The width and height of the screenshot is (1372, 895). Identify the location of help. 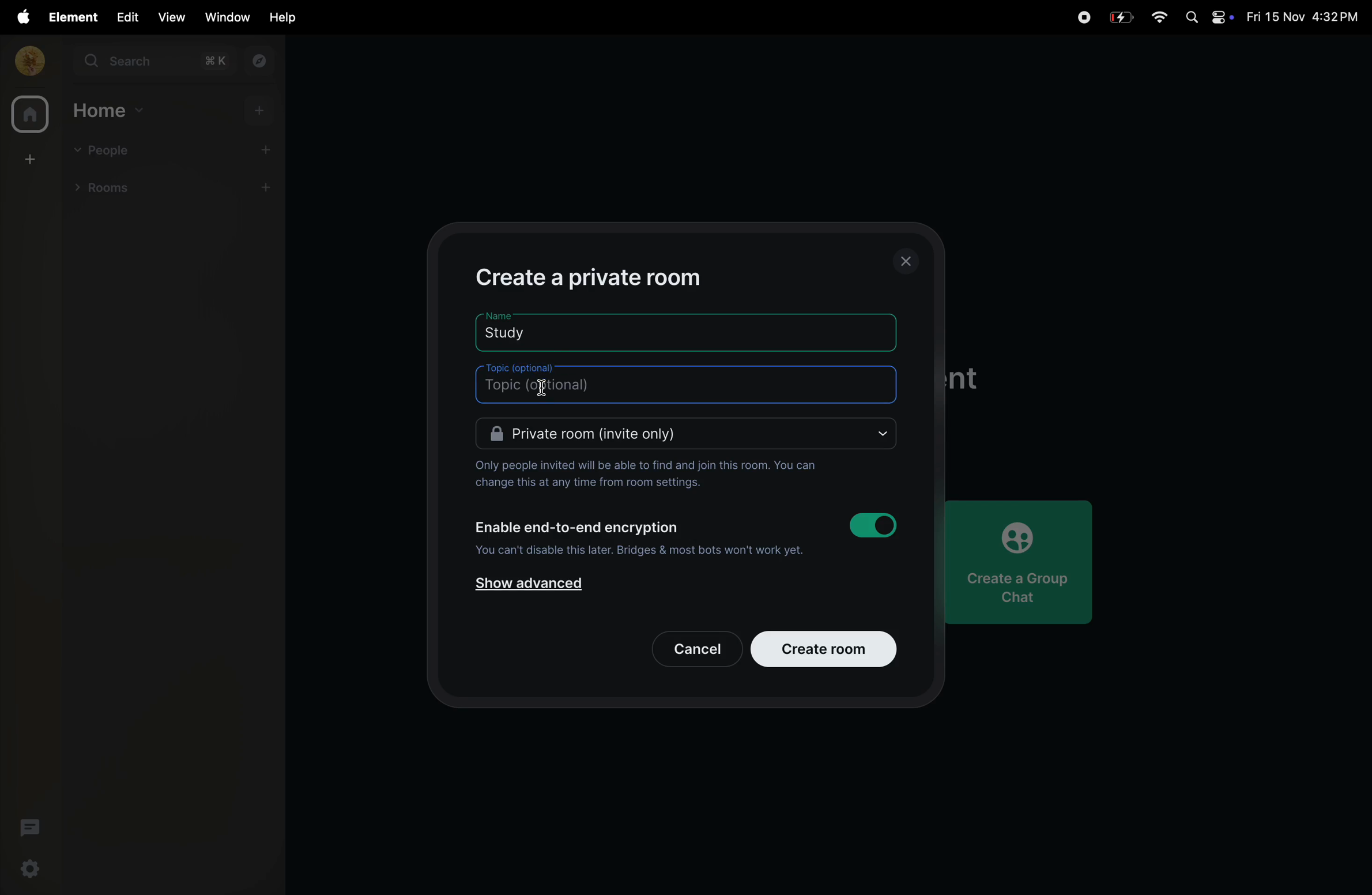
(279, 18).